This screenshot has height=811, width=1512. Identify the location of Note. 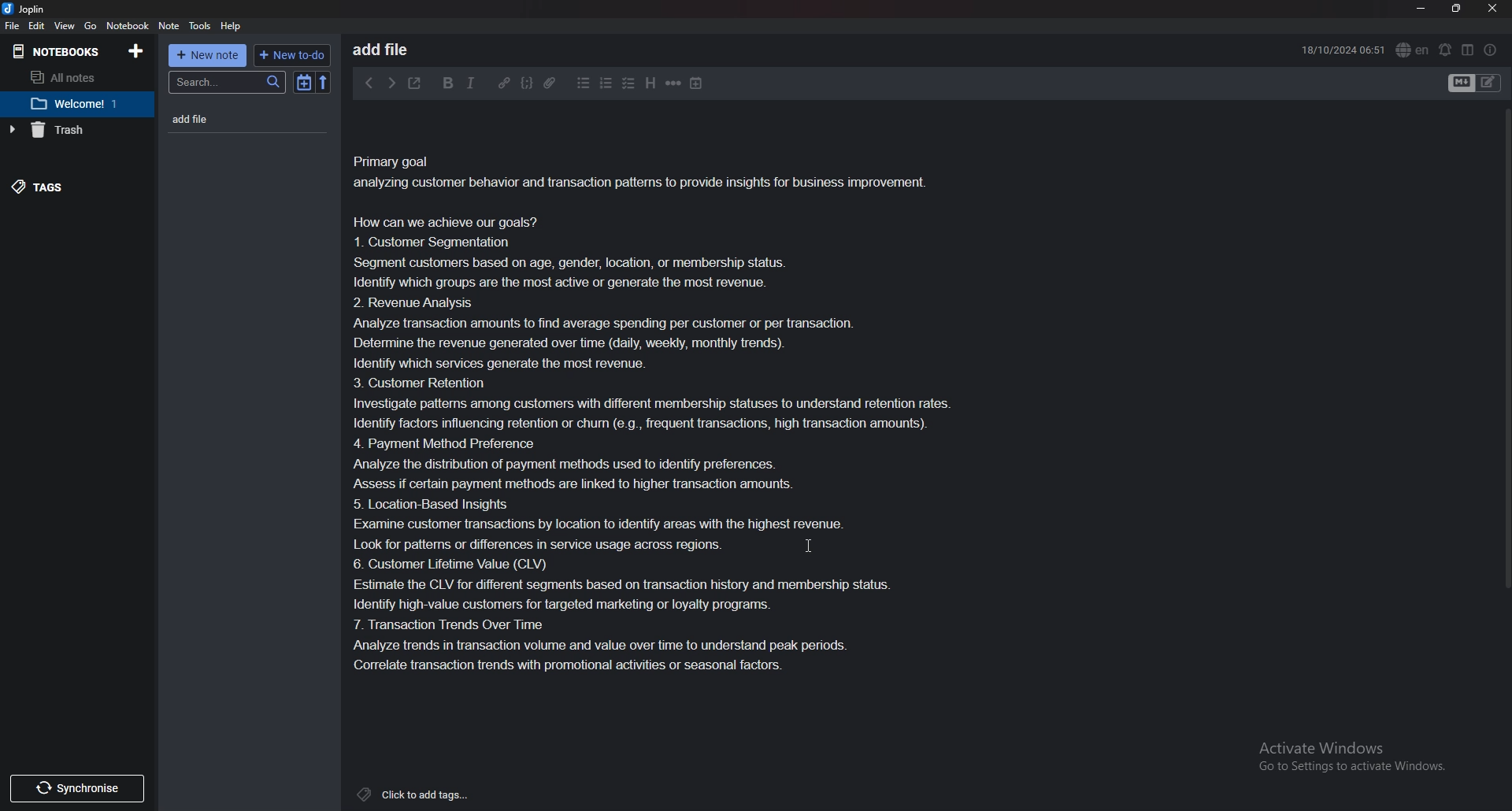
(170, 26).